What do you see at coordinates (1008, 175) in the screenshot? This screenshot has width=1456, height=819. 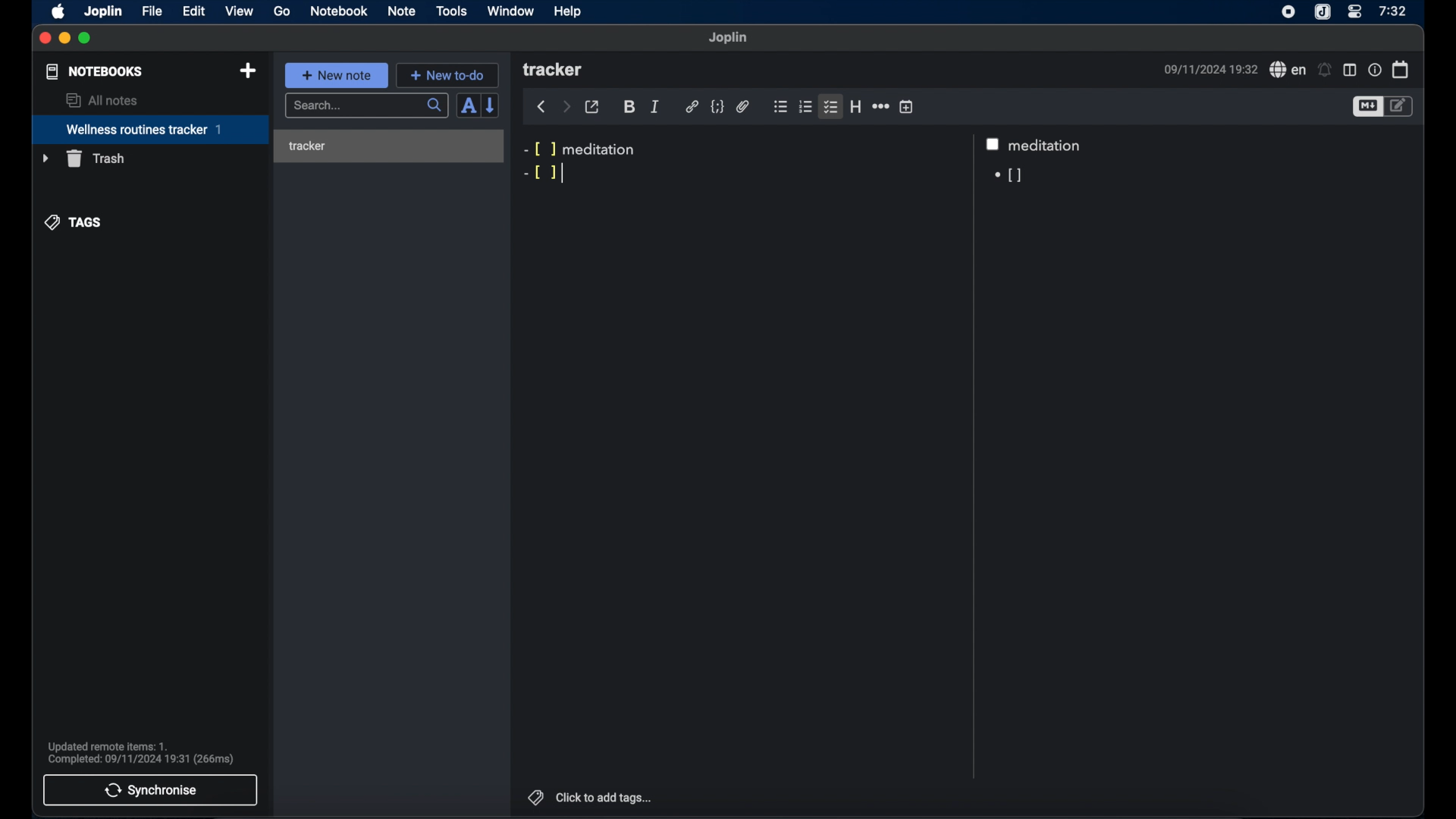 I see `[]` at bounding box center [1008, 175].